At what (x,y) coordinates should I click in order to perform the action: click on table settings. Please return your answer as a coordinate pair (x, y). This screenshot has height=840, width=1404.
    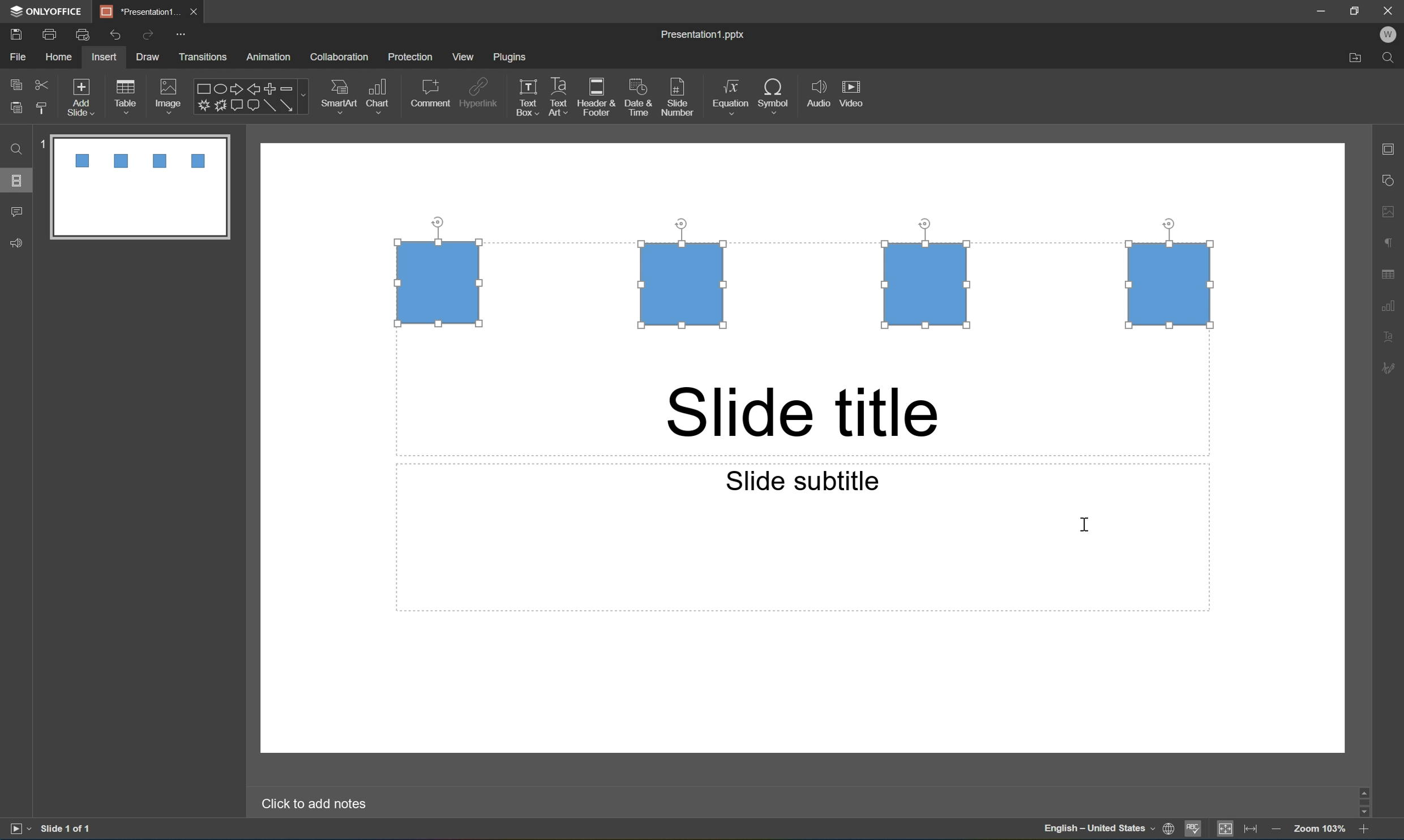
    Looking at the image, I should click on (1389, 272).